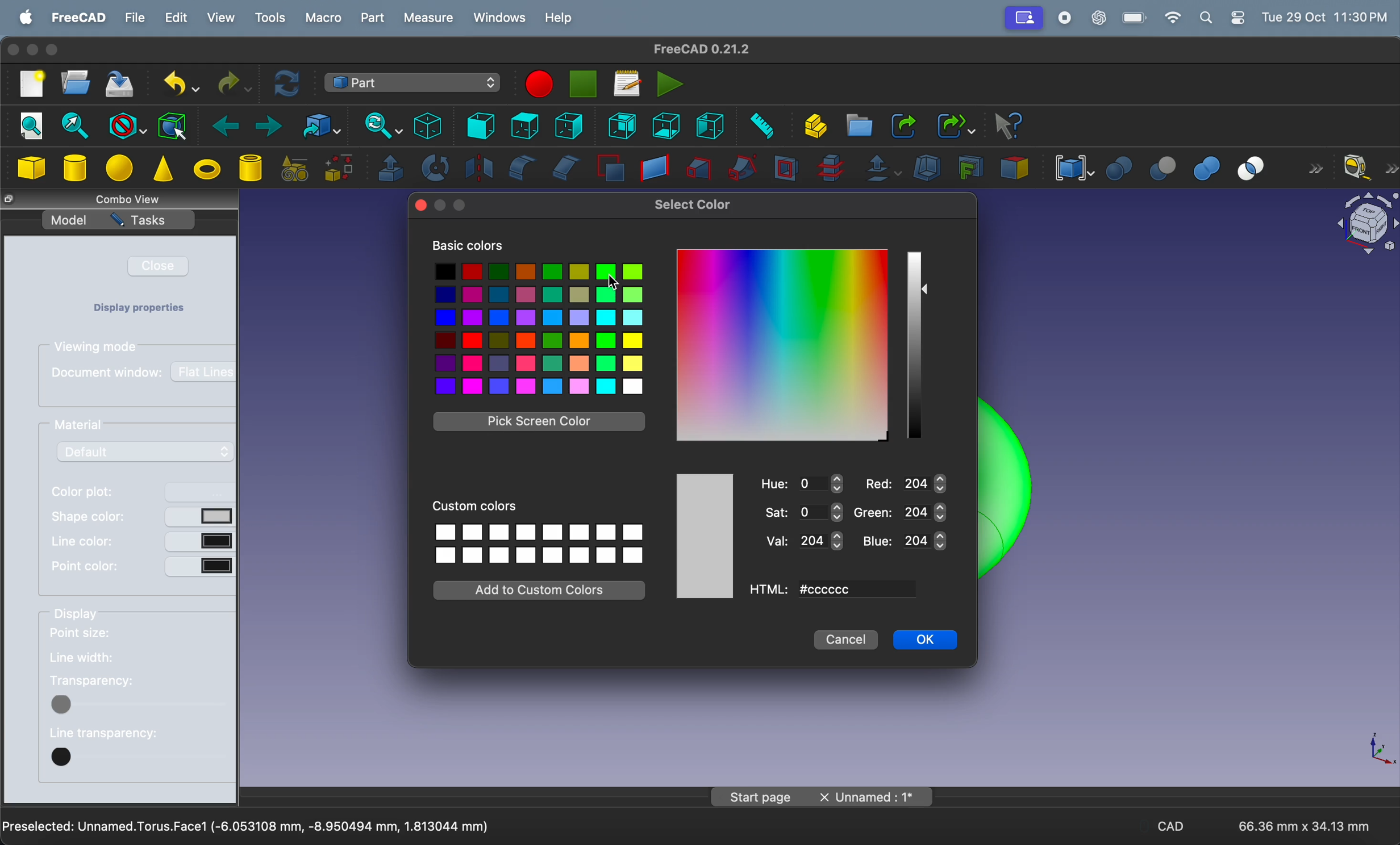  I want to click on boolean, so click(1119, 166).